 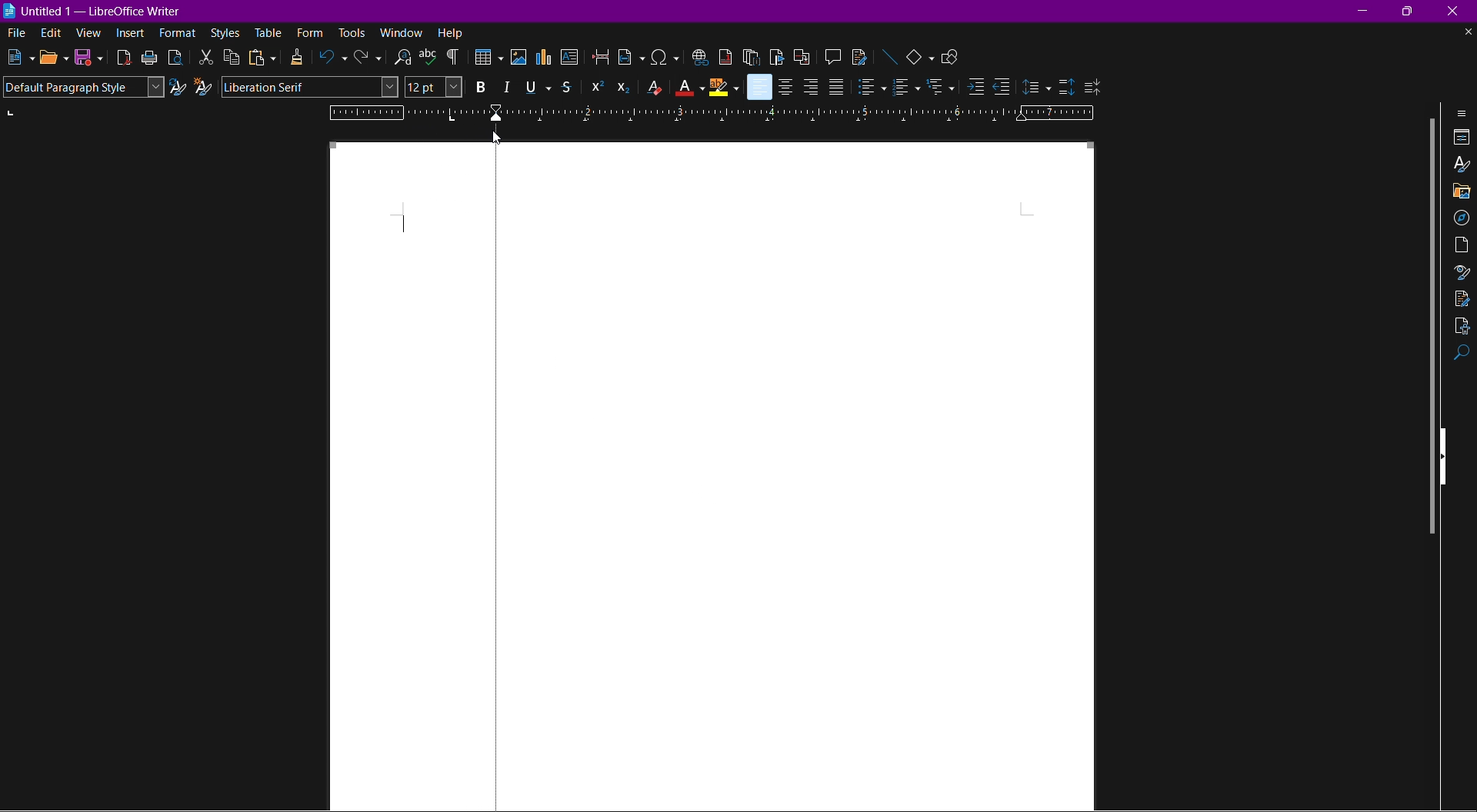 What do you see at coordinates (1036, 85) in the screenshot?
I see `Set Line Spacing` at bounding box center [1036, 85].